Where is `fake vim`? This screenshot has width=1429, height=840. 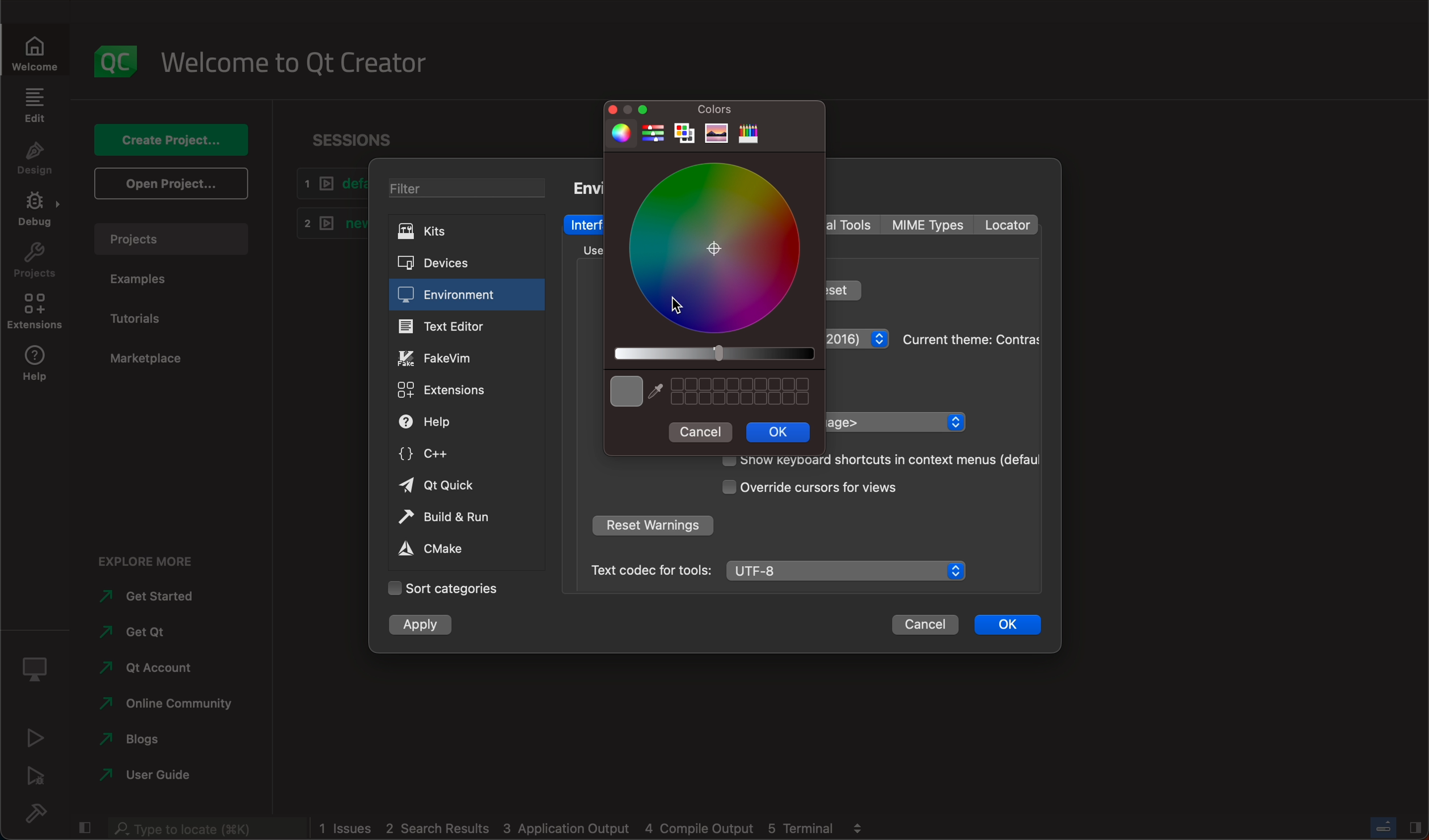 fake vim is located at coordinates (466, 357).